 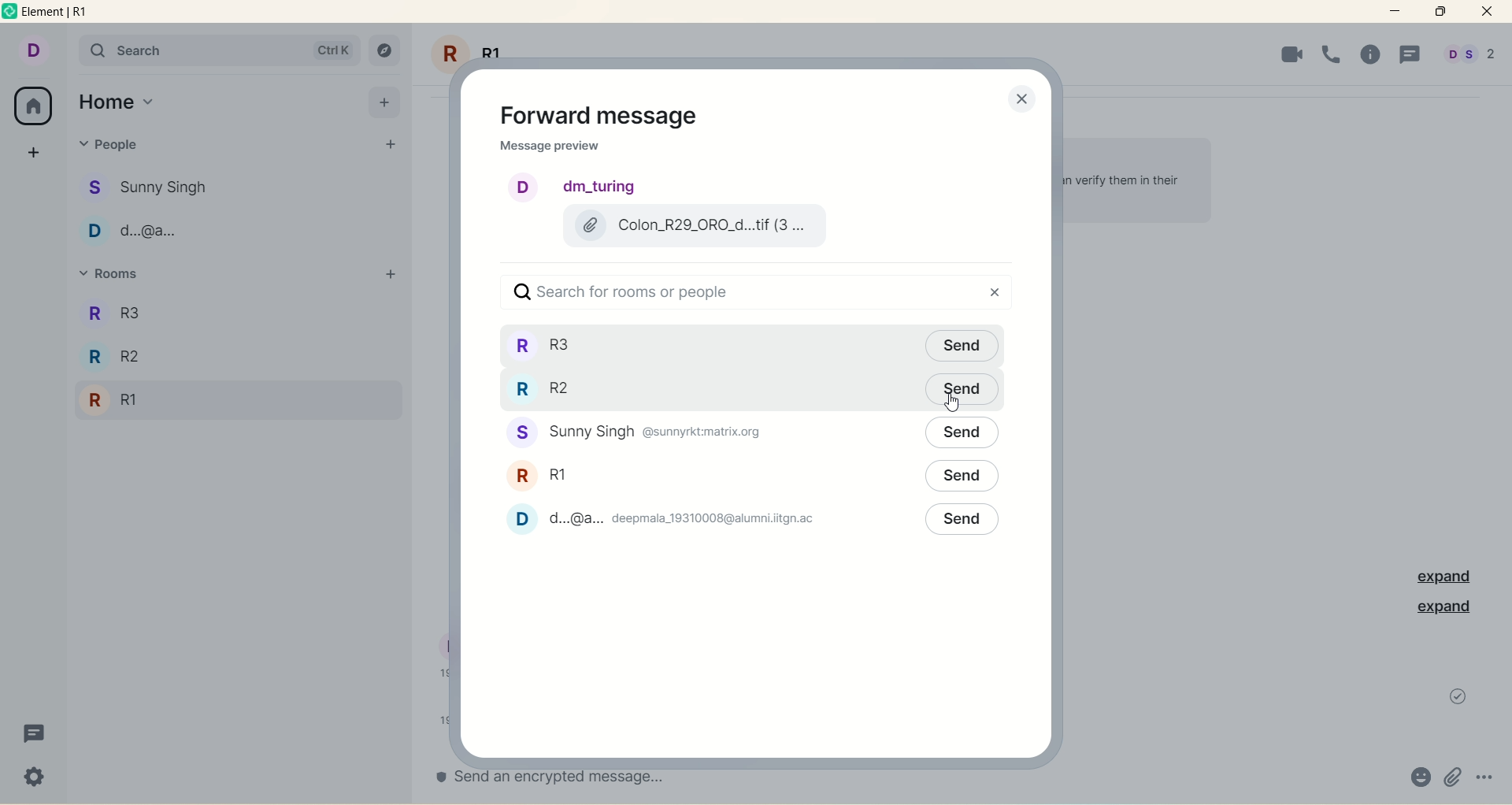 I want to click on create a space, so click(x=36, y=149).